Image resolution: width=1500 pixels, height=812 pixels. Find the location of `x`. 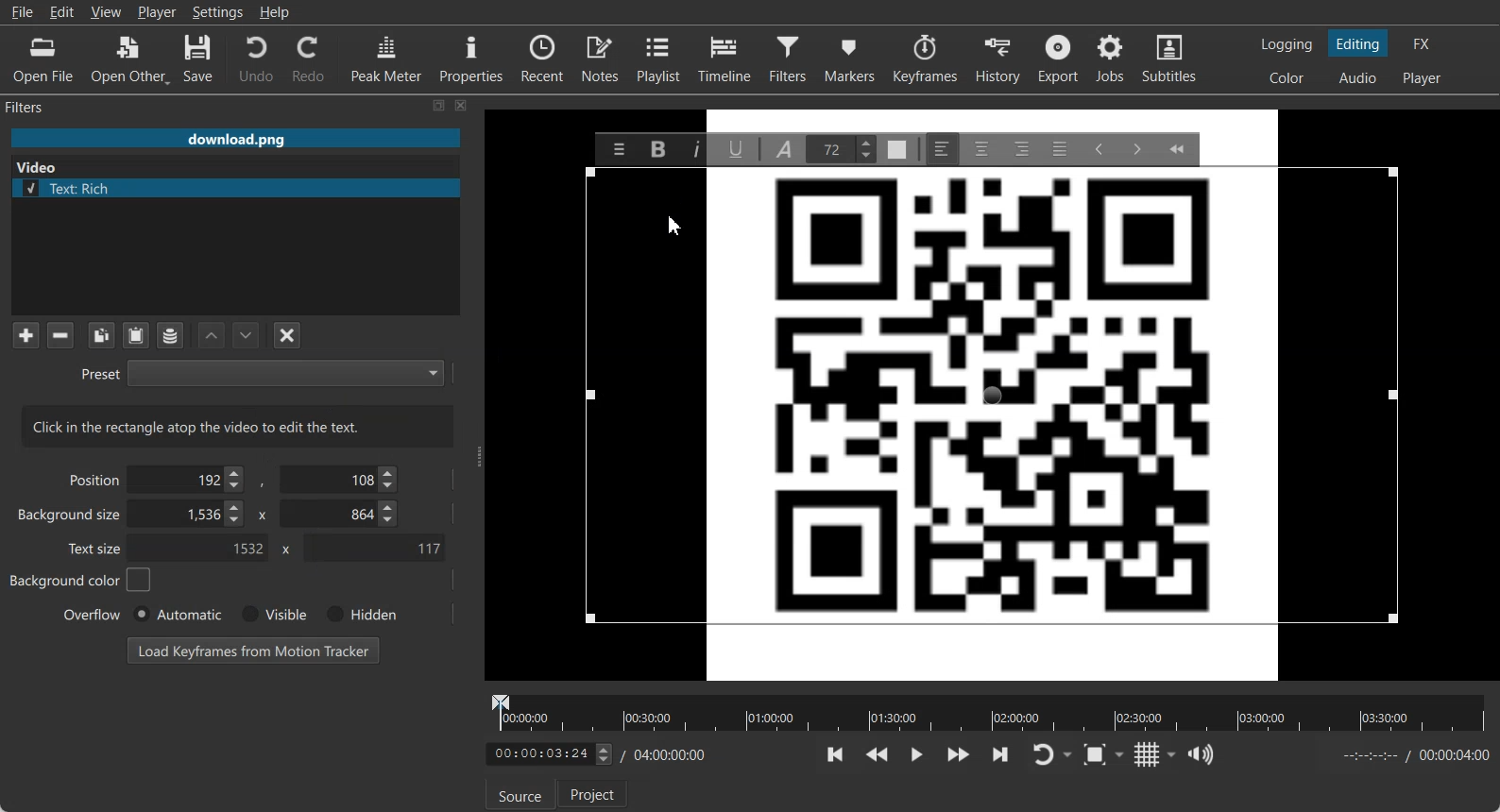

x is located at coordinates (260, 514).